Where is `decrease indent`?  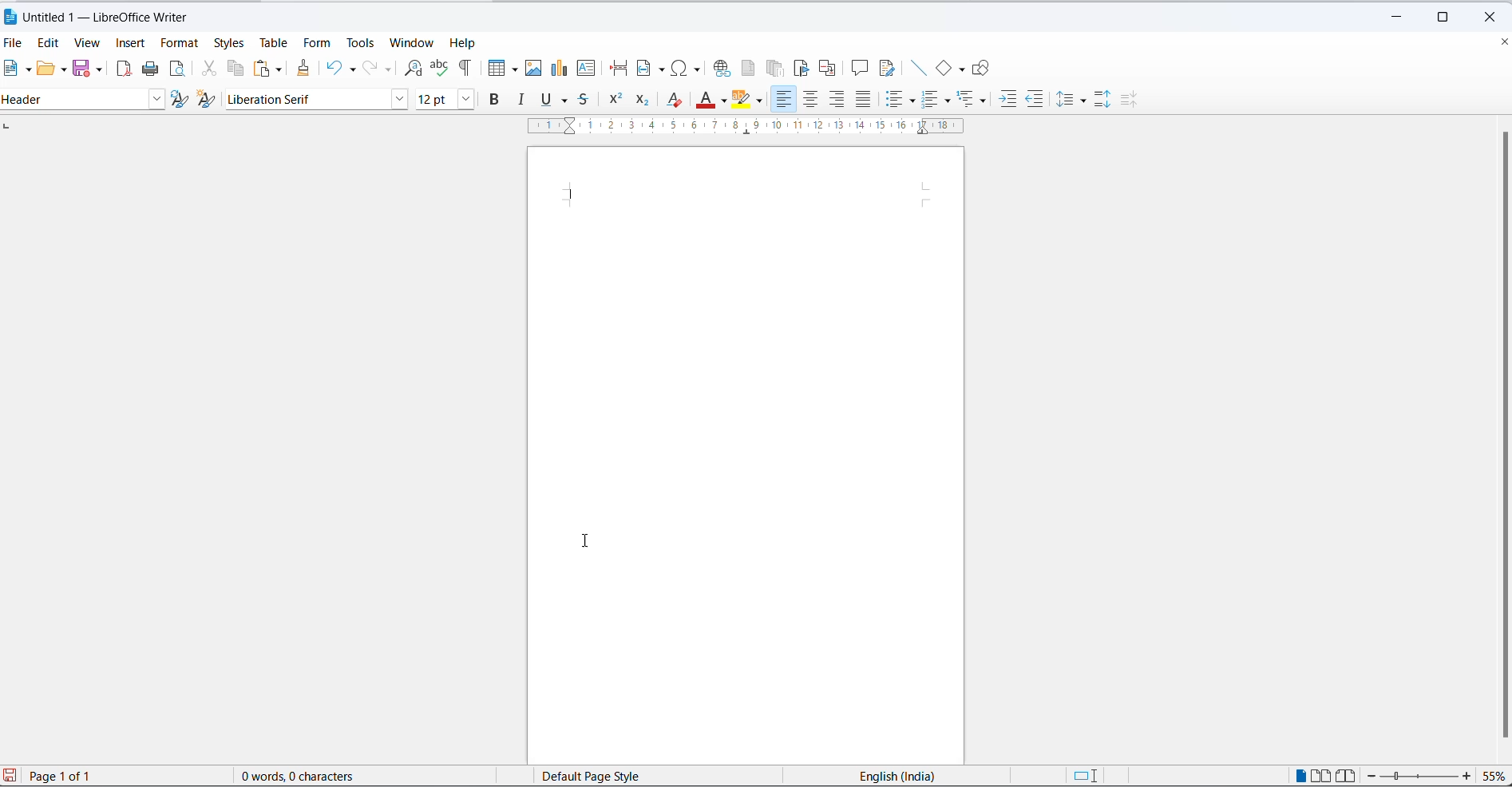
decrease indent is located at coordinates (1035, 100).